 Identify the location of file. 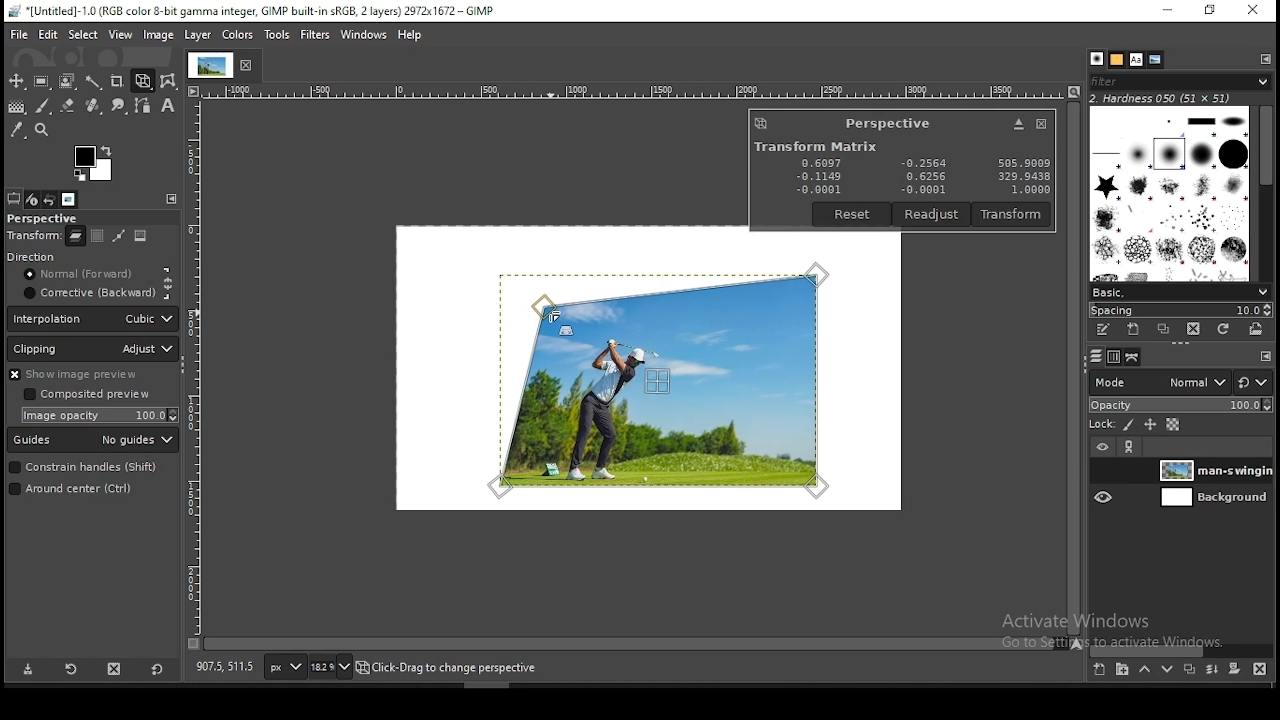
(18, 35).